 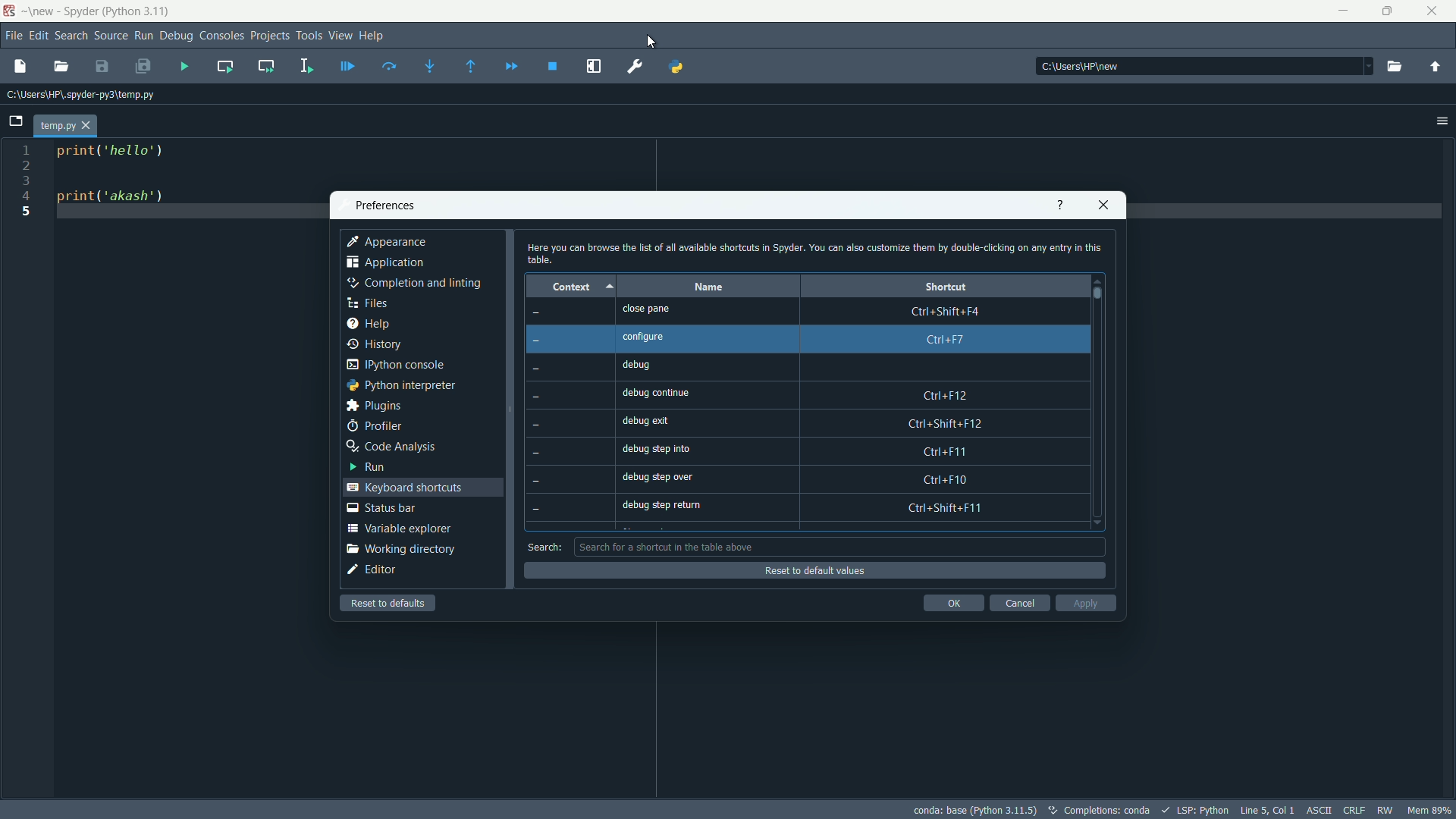 I want to click on search, so click(x=544, y=547).